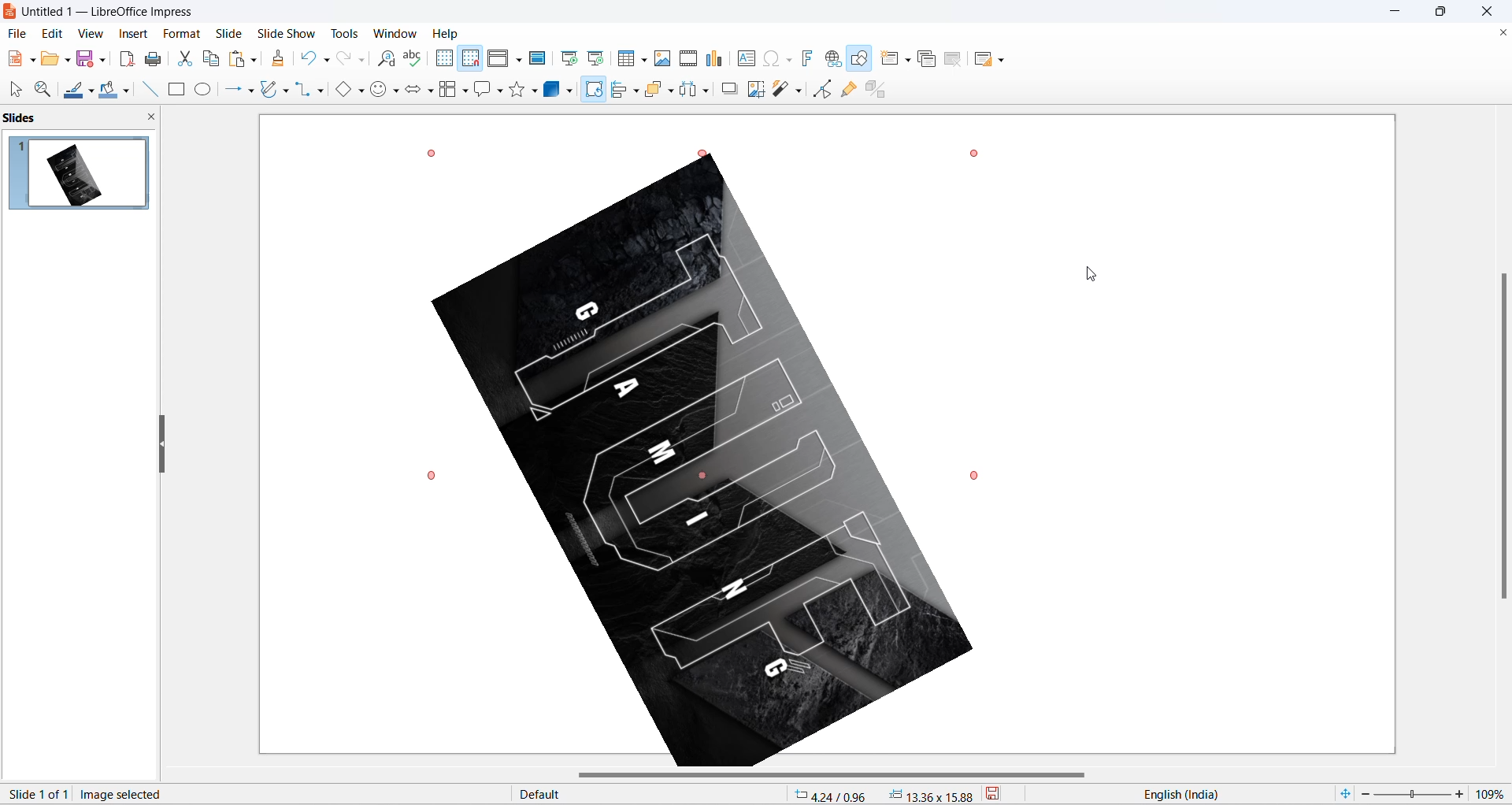 The width and height of the screenshot is (1512, 805). Describe the element at coordinates (1501, 33) in the screenshot. I see `close document` at that location.